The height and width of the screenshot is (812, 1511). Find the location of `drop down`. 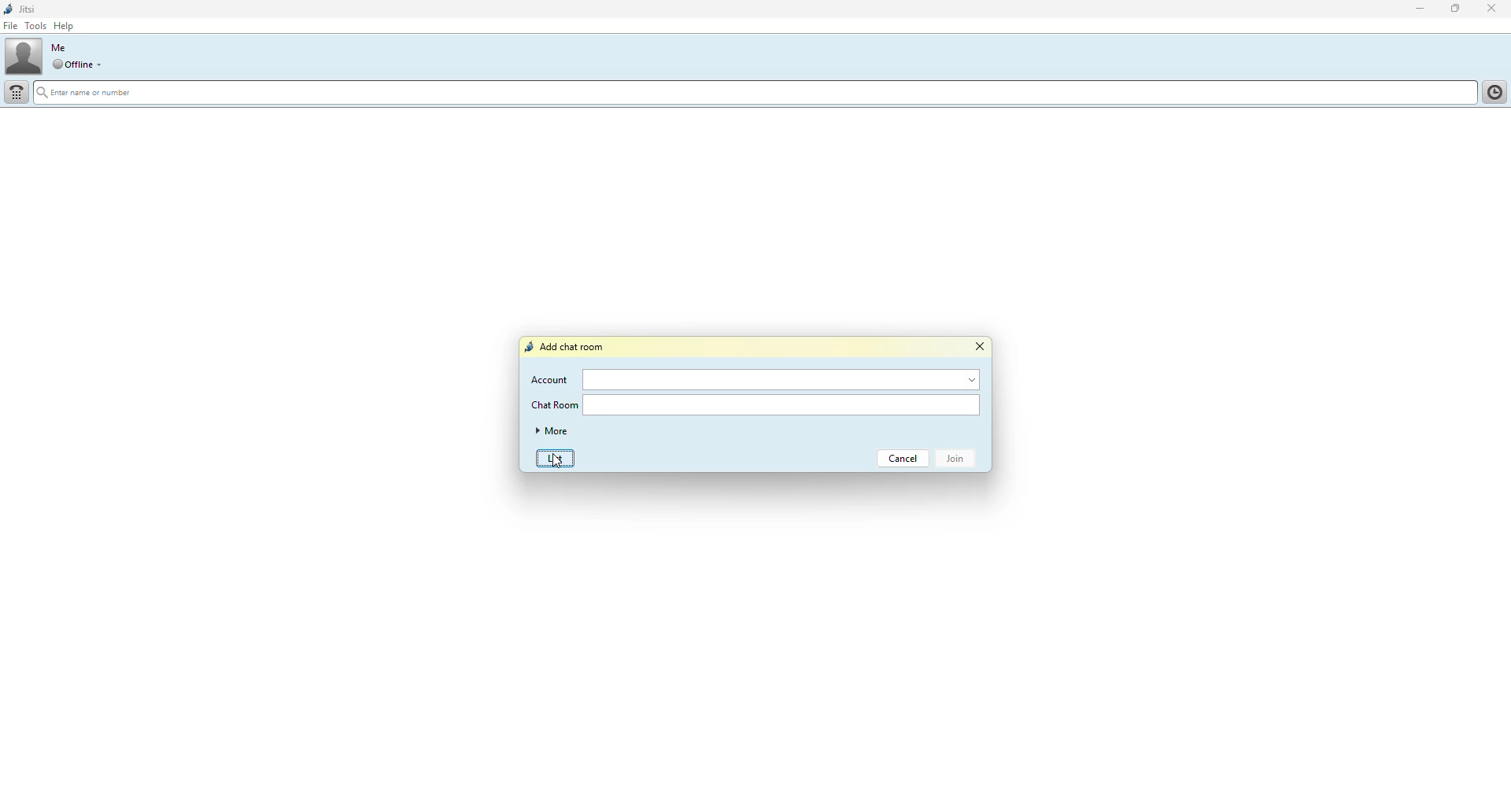

drop down is located at coordinates (103, 65).